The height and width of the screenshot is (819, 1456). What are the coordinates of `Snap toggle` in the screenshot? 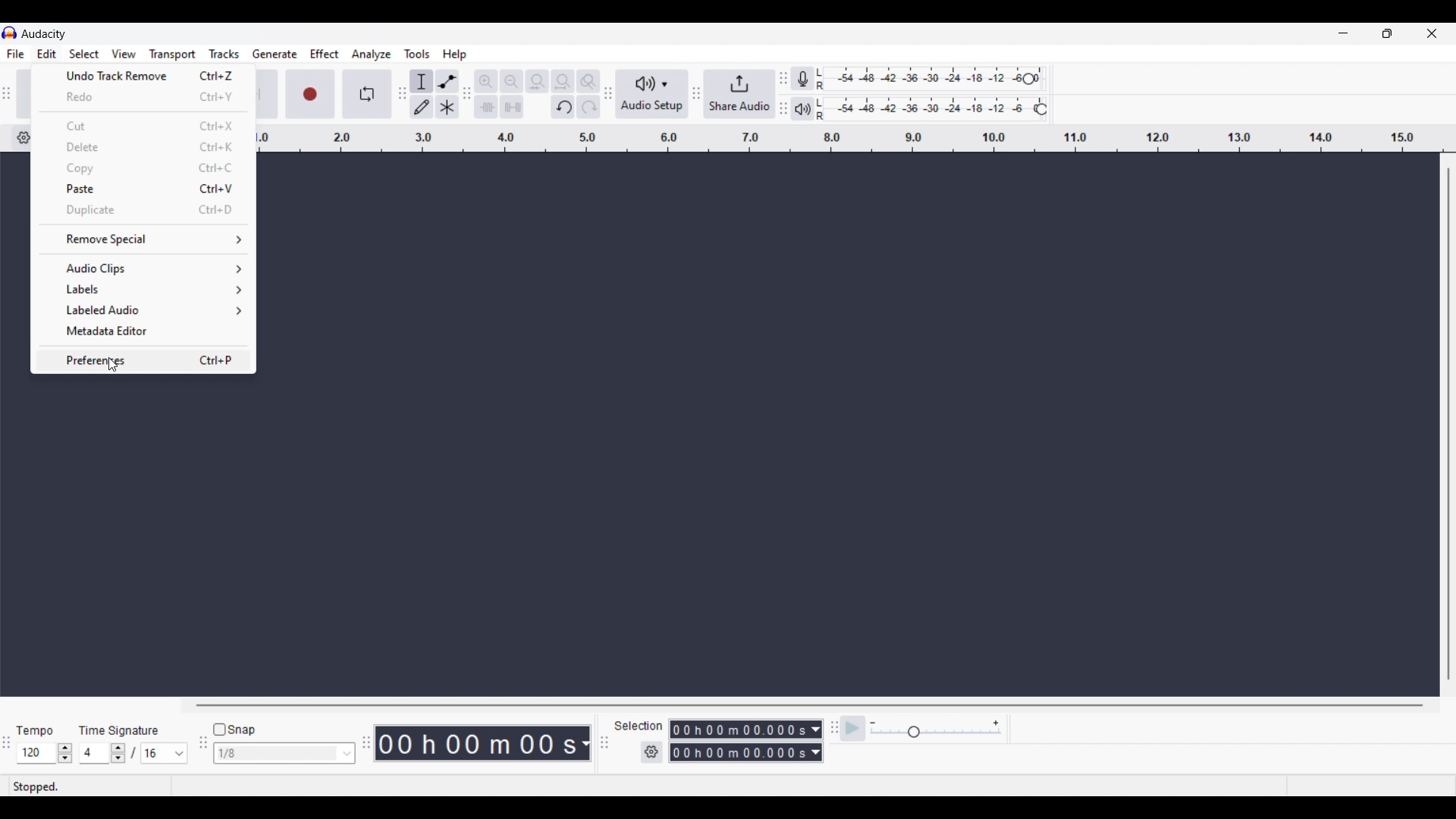 It's located at (235, 730).